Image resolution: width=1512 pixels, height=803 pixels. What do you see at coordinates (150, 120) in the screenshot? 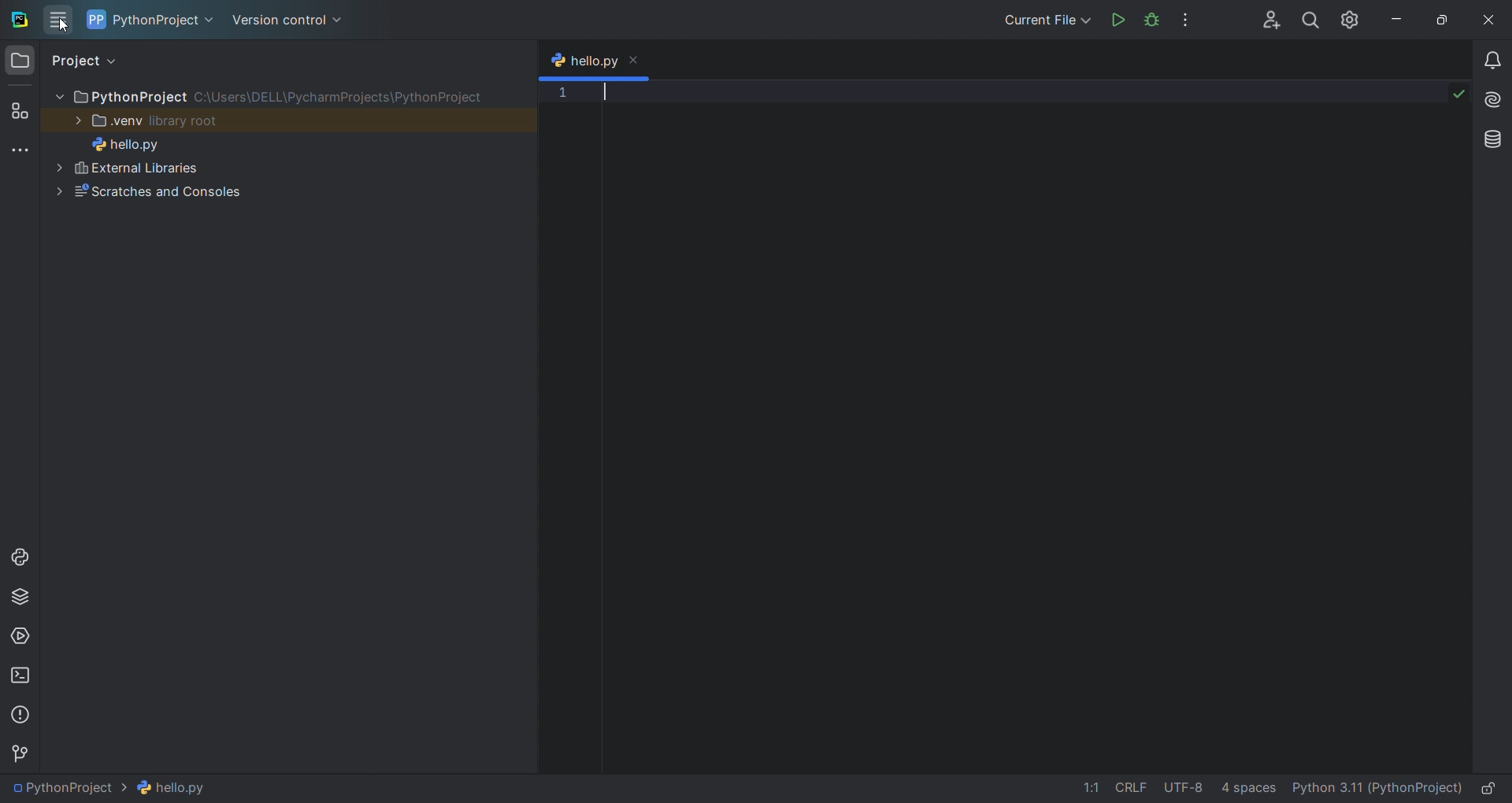
I see `.venv` at bounding box center [150, 120].